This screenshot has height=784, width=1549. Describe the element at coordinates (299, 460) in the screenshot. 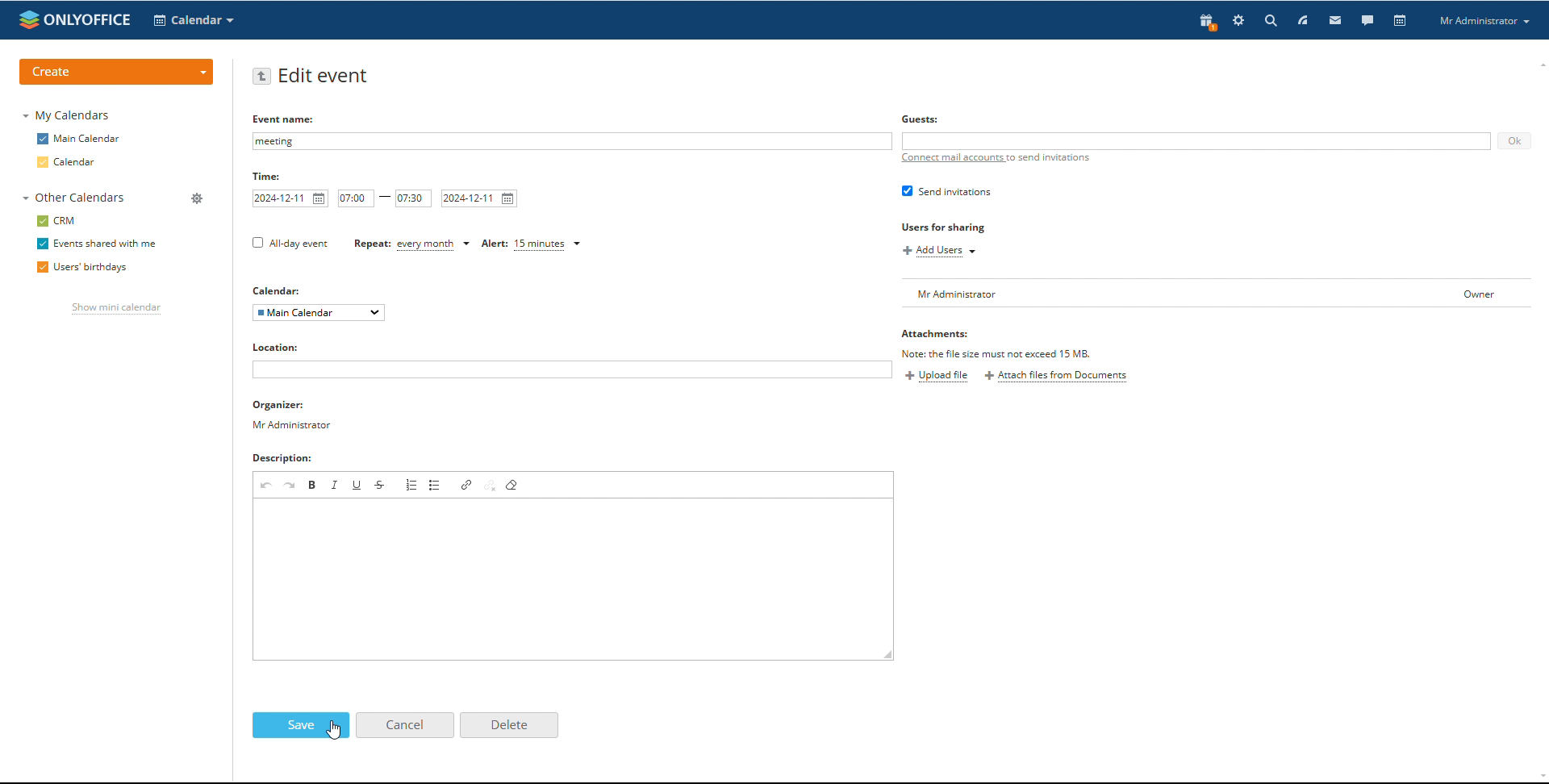

I see `Description:` at that location.